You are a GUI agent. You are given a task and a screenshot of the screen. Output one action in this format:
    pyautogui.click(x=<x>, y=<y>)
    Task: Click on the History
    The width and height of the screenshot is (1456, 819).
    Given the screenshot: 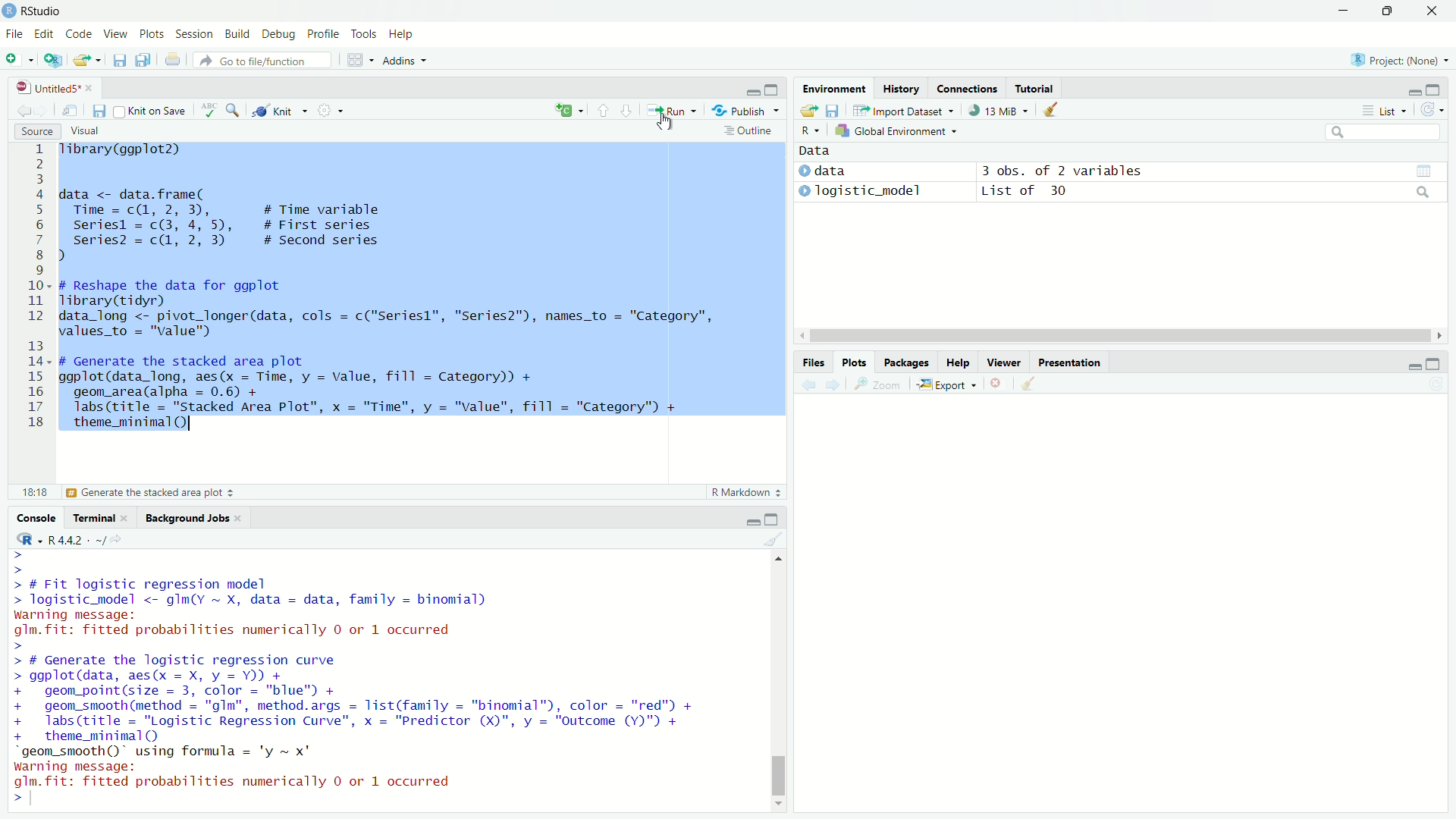 What is the action you would take?
    pyautogui.click(x=899, y=86)
    